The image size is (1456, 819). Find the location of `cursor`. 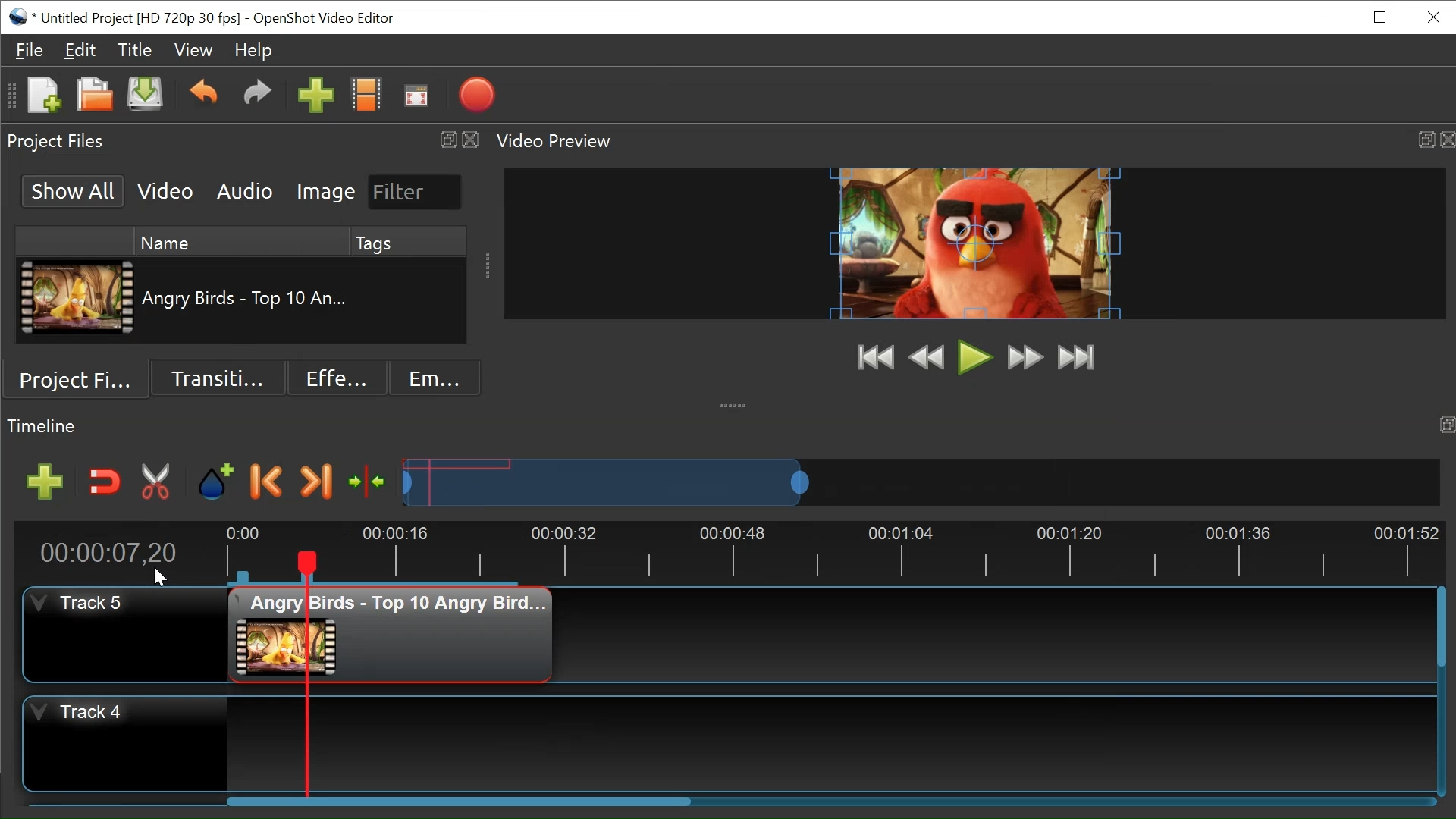

cursor is located at coordinates (166, 579).